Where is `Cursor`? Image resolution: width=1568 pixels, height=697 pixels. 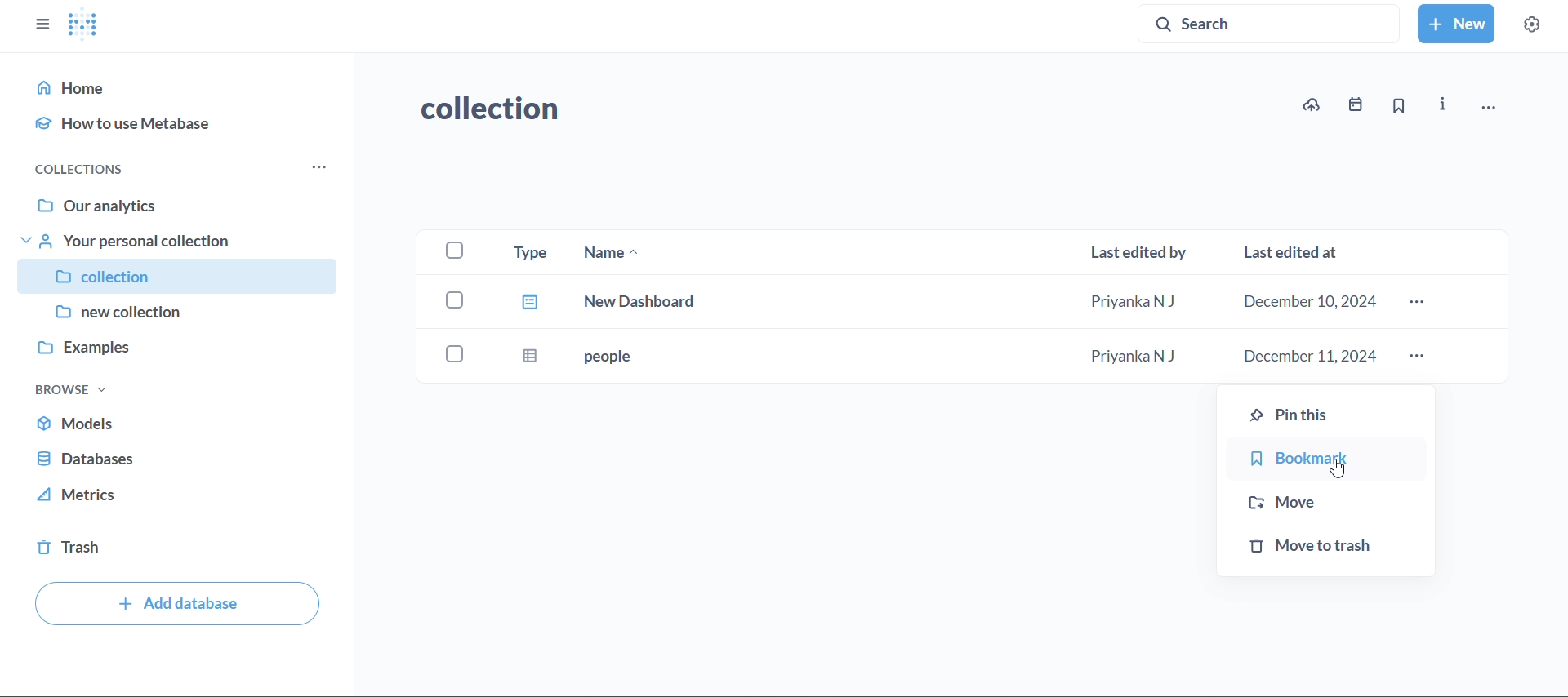 Cursor is located at coordinates (1334, 472).